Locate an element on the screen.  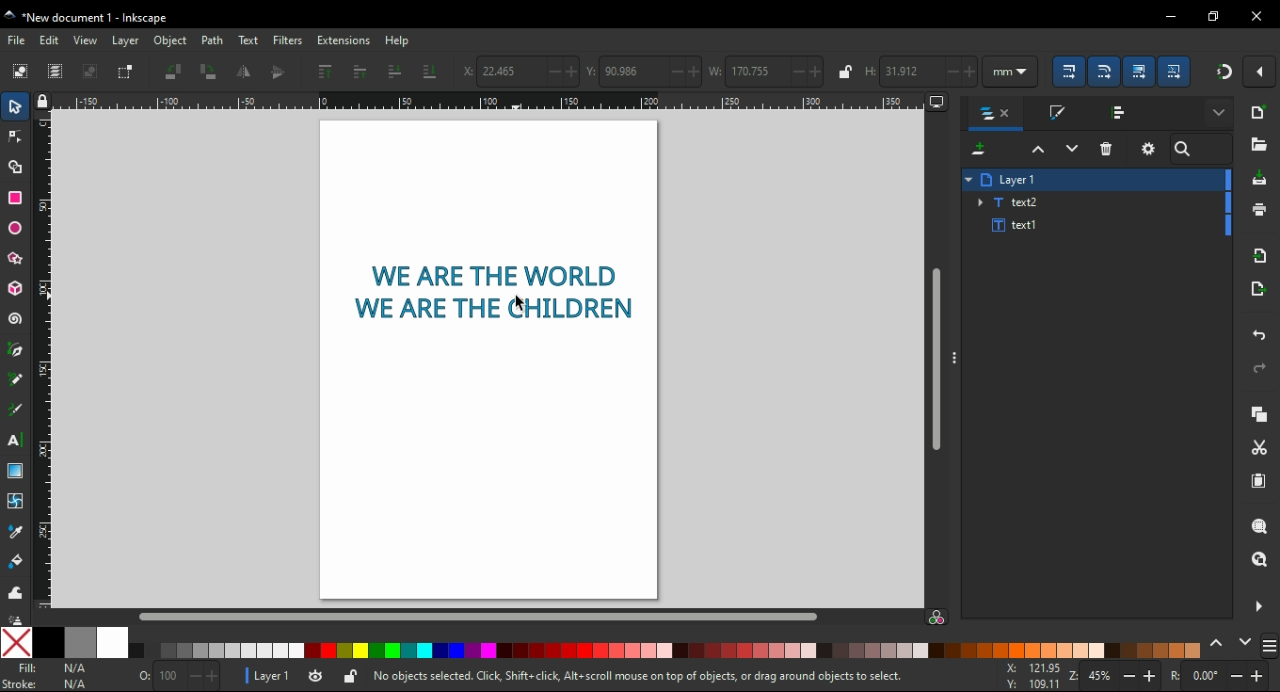
more options is located at coordinates (951, 359).